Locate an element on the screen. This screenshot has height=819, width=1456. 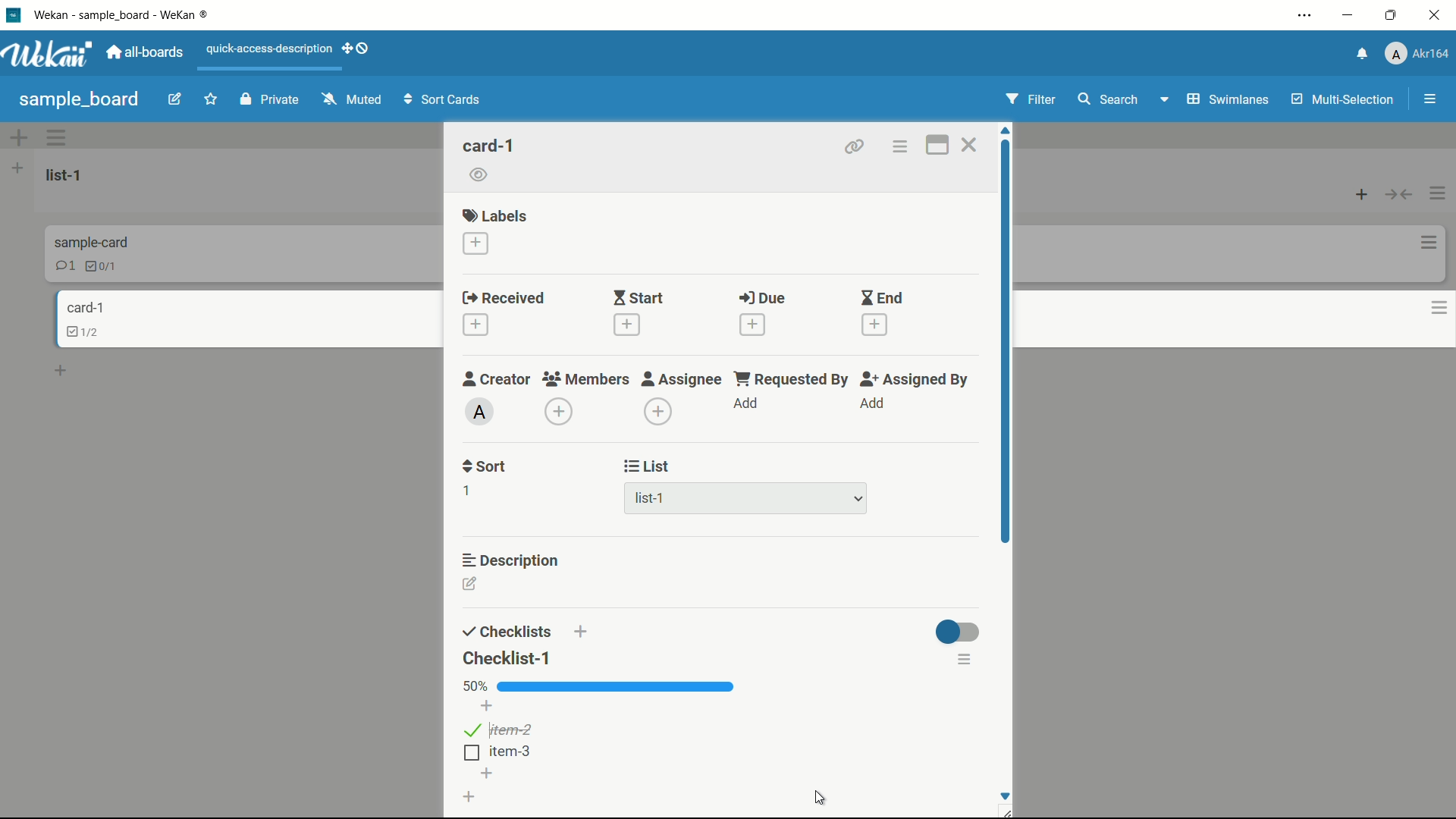
add list is located at coordinates (17, 168).